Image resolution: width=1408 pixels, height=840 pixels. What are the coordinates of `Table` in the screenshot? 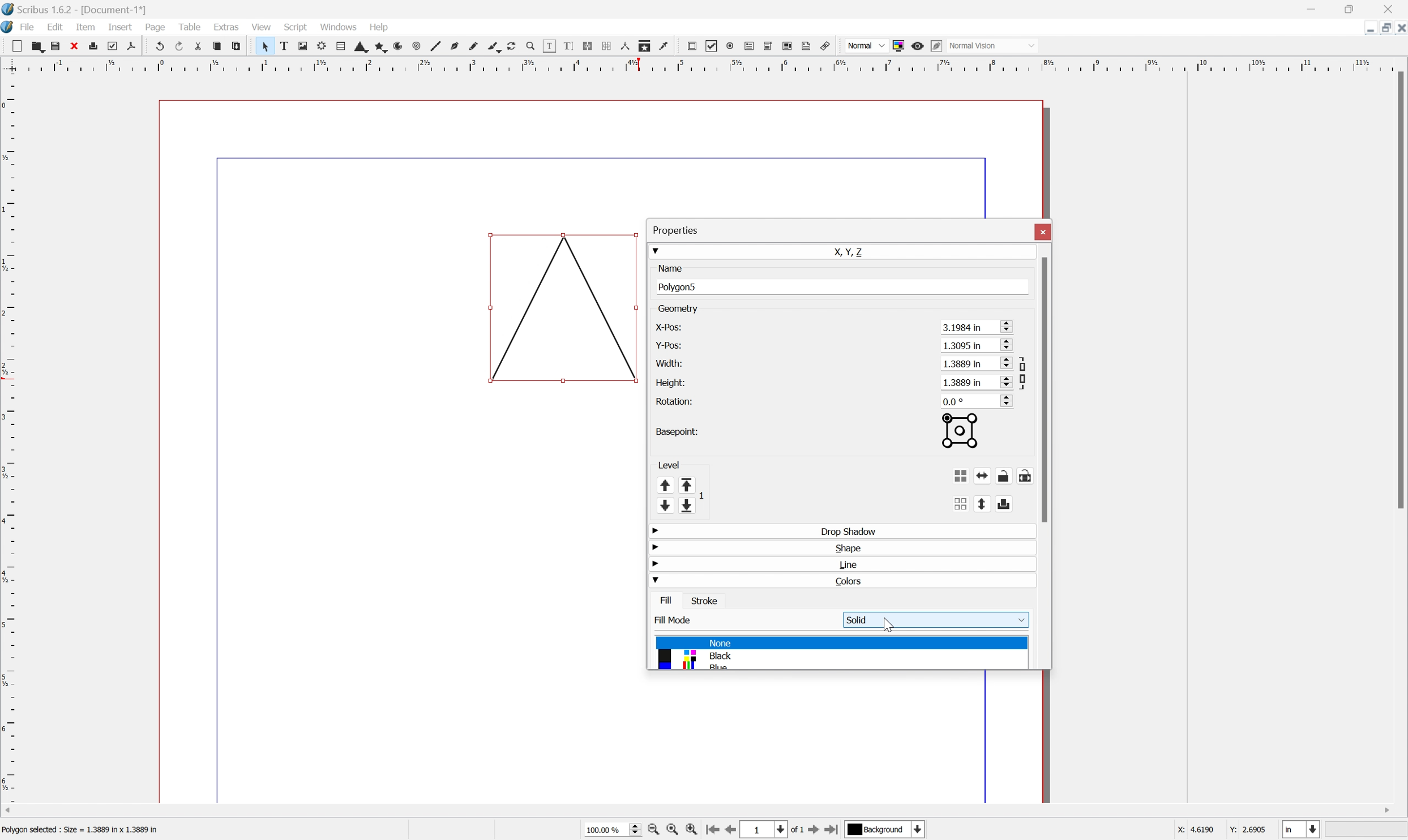 It's located at (335, 47).